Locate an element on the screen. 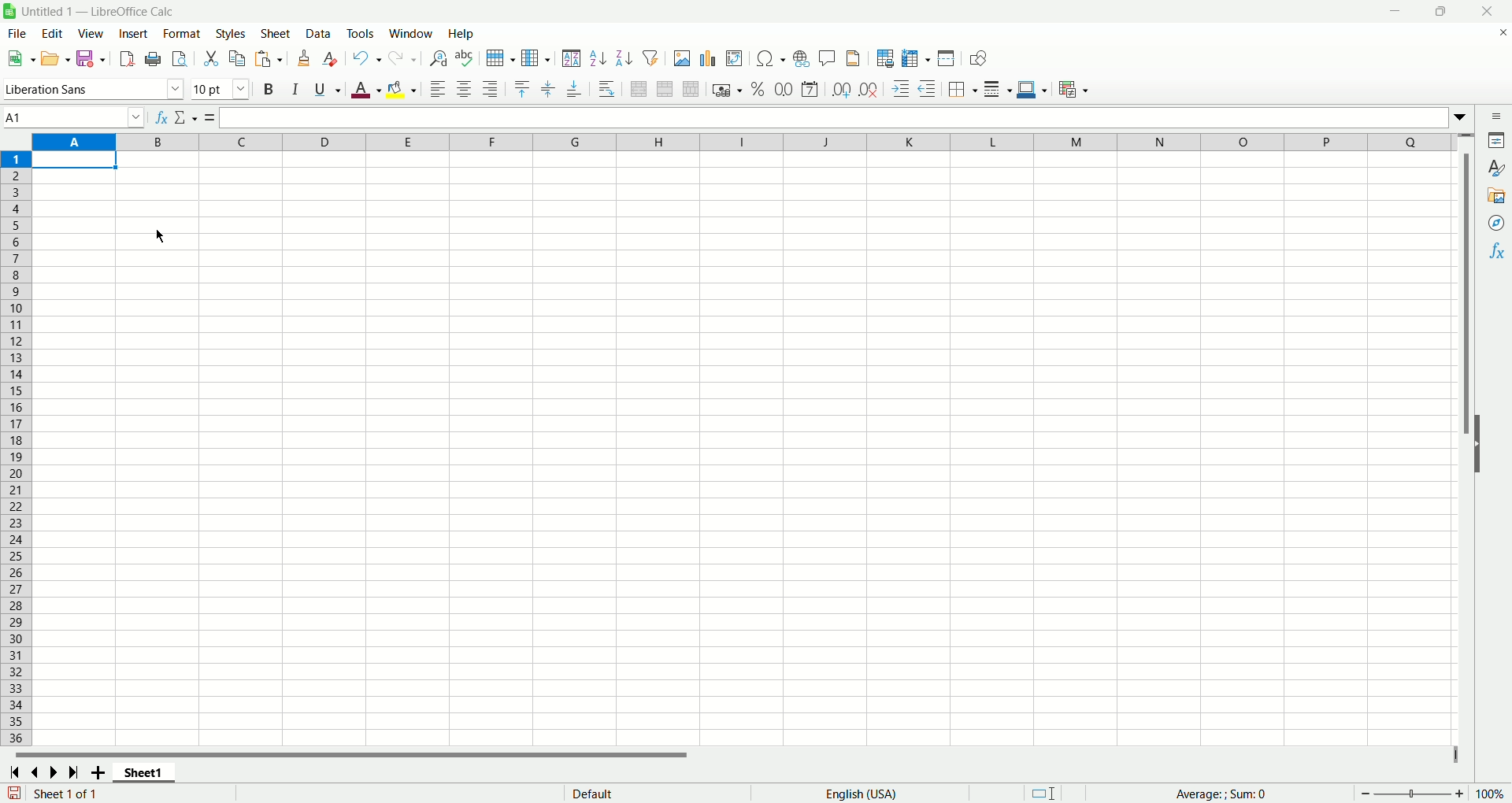 The height and width of the screenshot is (803, 1512). default is located at coordinates (651, 794).